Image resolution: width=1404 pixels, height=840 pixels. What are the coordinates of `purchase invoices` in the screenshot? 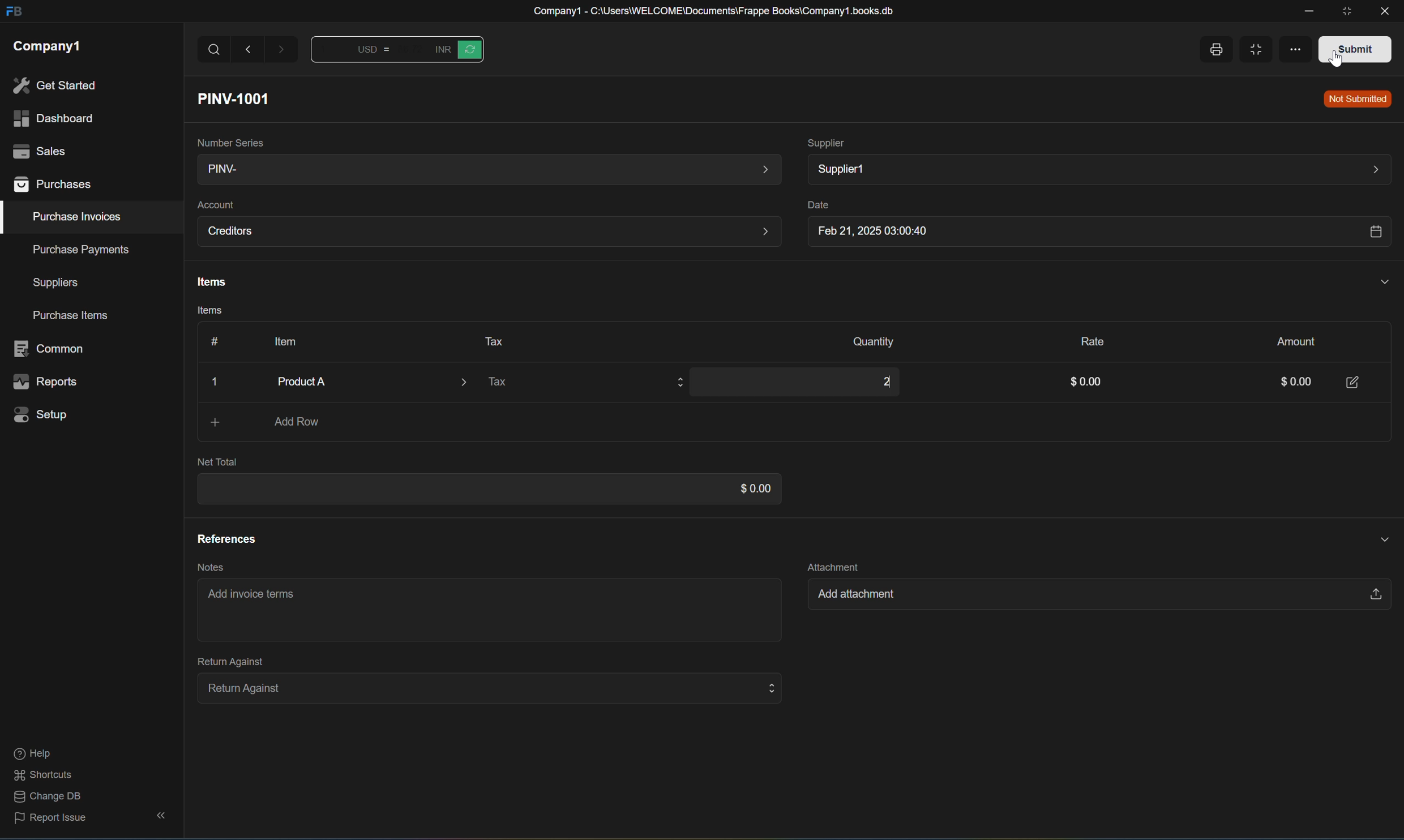 It's located at (78, 217).